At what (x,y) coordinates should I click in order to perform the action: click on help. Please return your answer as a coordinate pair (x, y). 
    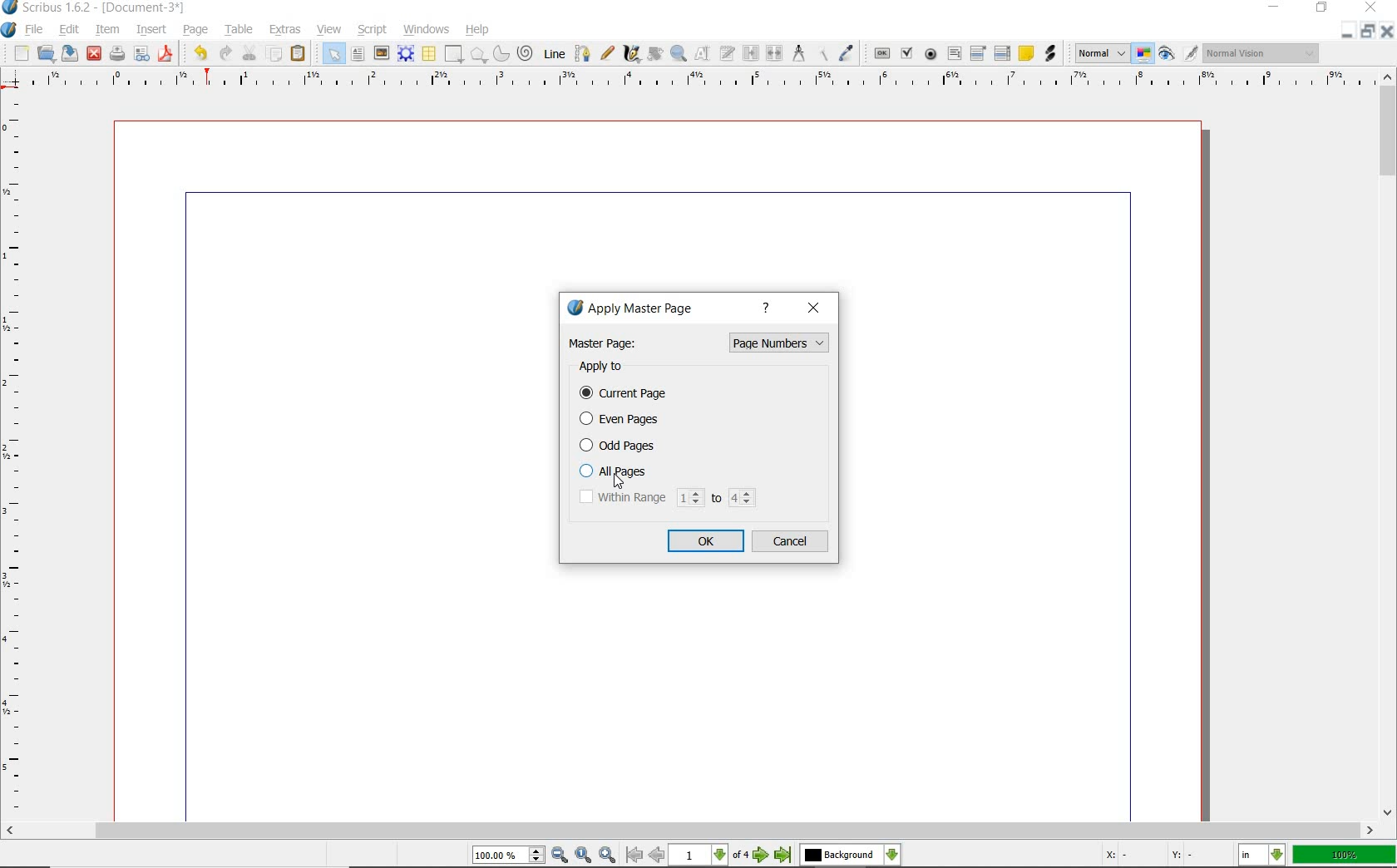
    Looking at the image, I should click on (769, 309).